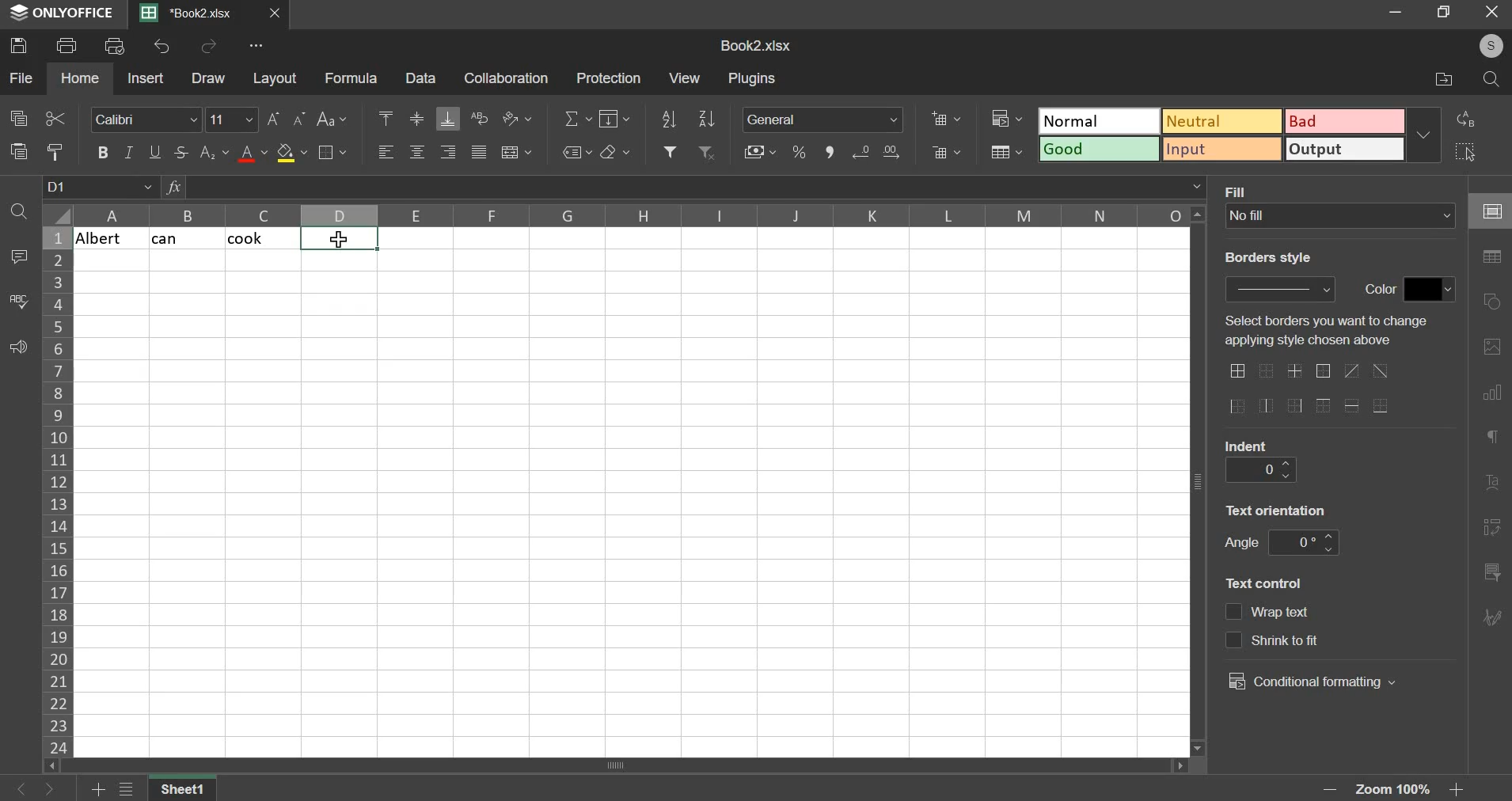 This screenshot has height=801, width=1512. Describe the element at coordinates (1283, 614) in the screenshot. I see `text` at that location.